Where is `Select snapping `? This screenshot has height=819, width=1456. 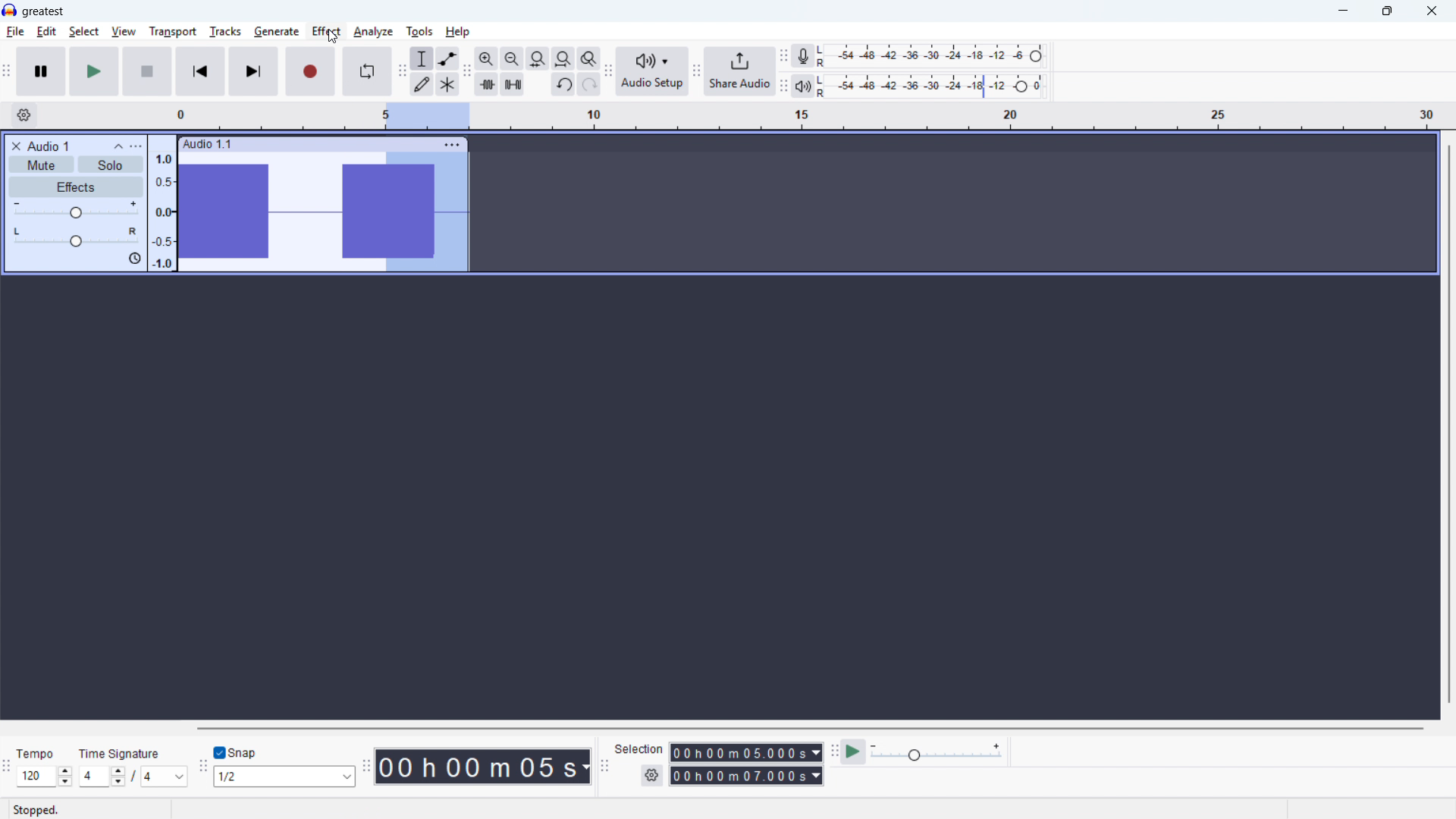 Select snapping  is located at coordinates (284, 776).